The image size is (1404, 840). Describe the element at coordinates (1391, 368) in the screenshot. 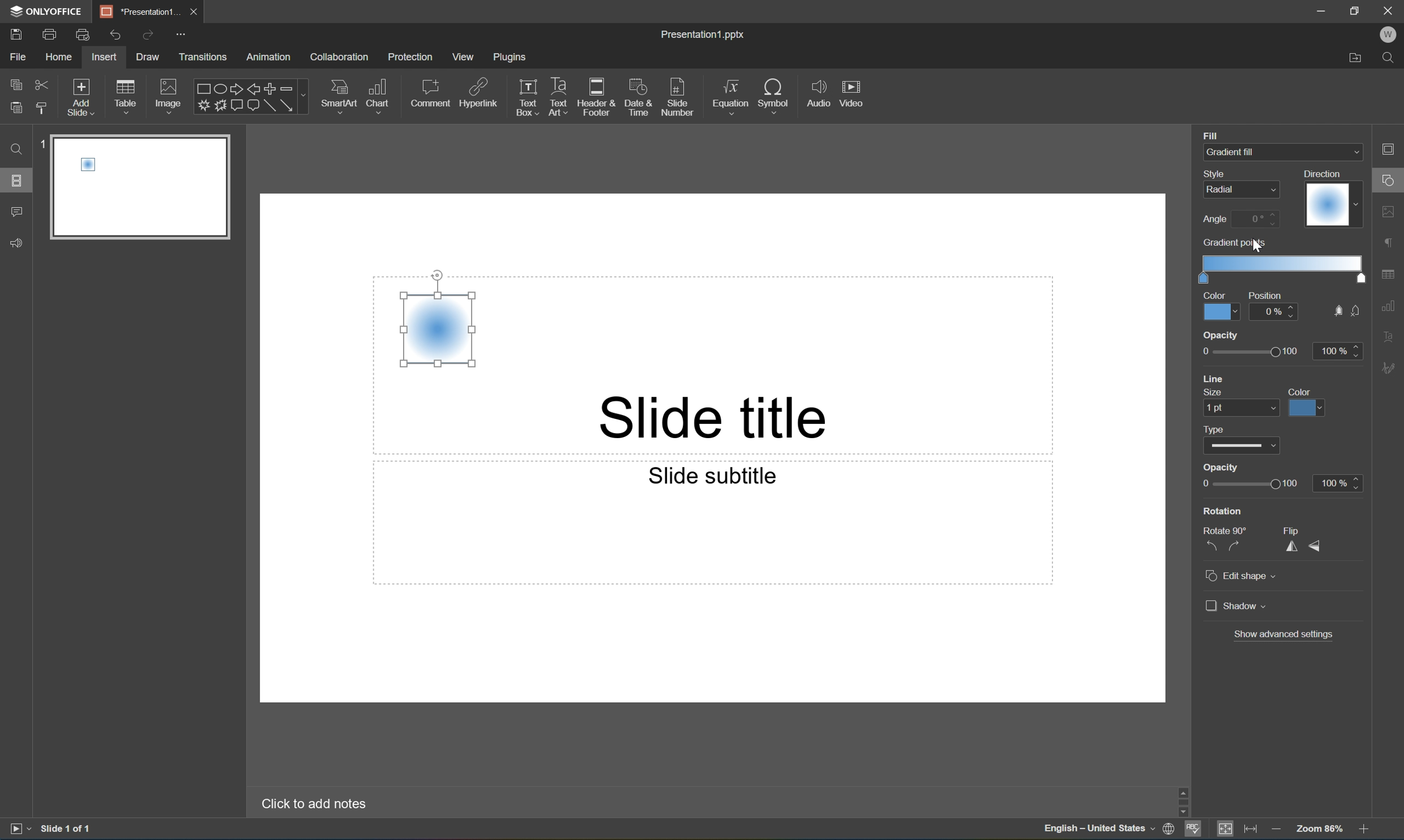

I see `Signature settings` at that location.